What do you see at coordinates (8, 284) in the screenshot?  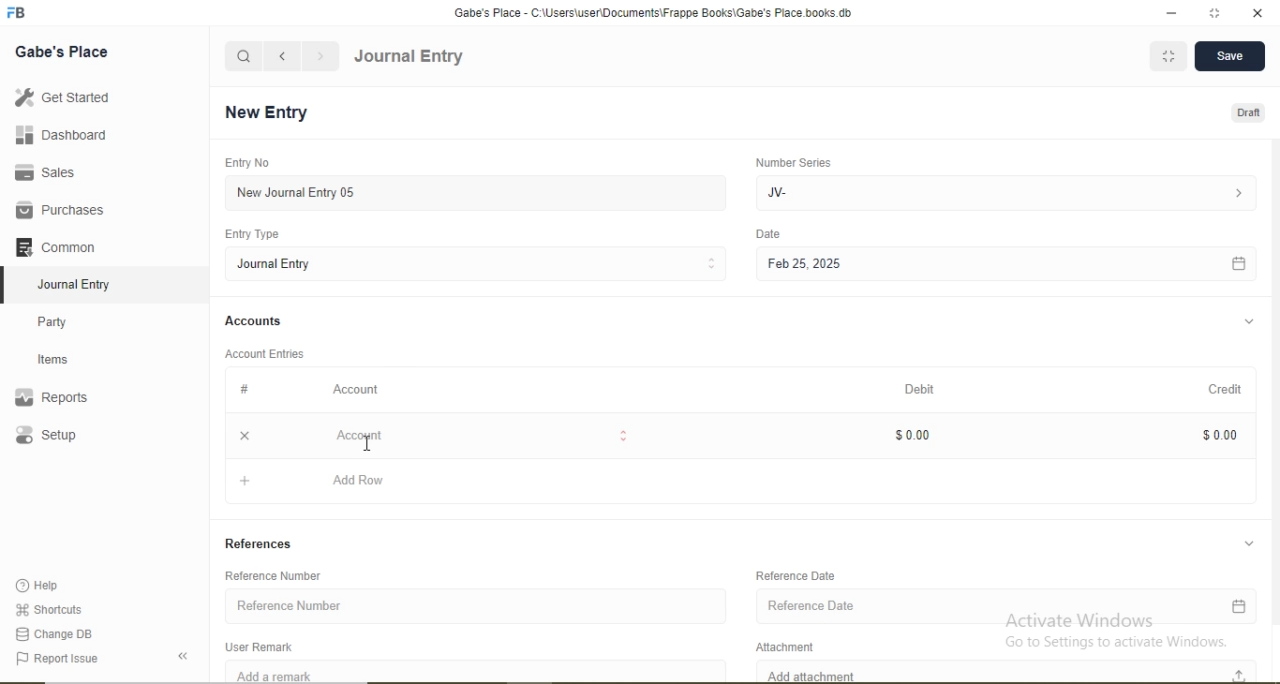 I see `selected` at bounding box center [8, 284].